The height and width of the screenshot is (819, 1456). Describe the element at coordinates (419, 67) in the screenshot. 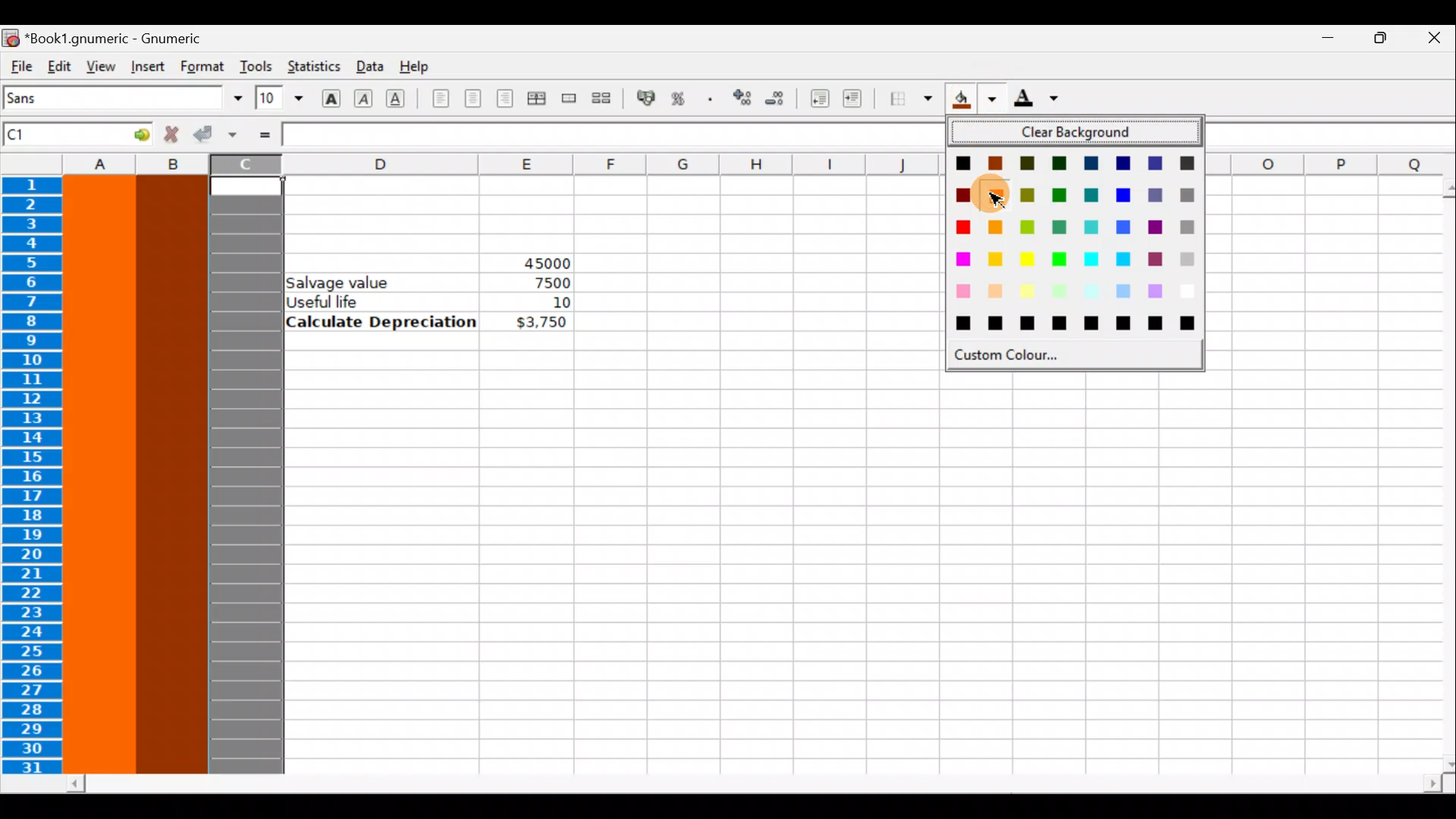

I see `Help` at that location.